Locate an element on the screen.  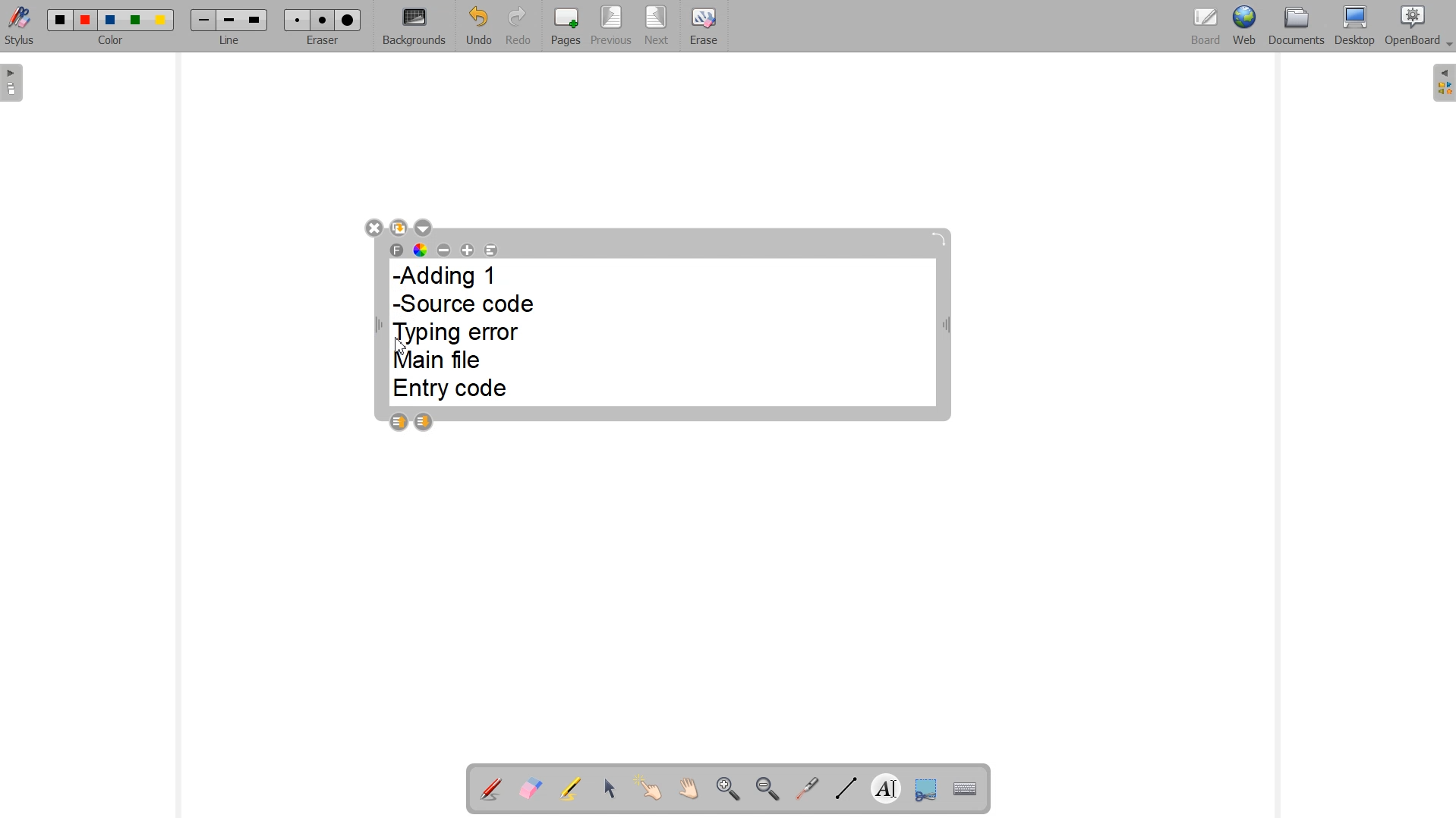
Duplicate is located at coordinates (399, 227).